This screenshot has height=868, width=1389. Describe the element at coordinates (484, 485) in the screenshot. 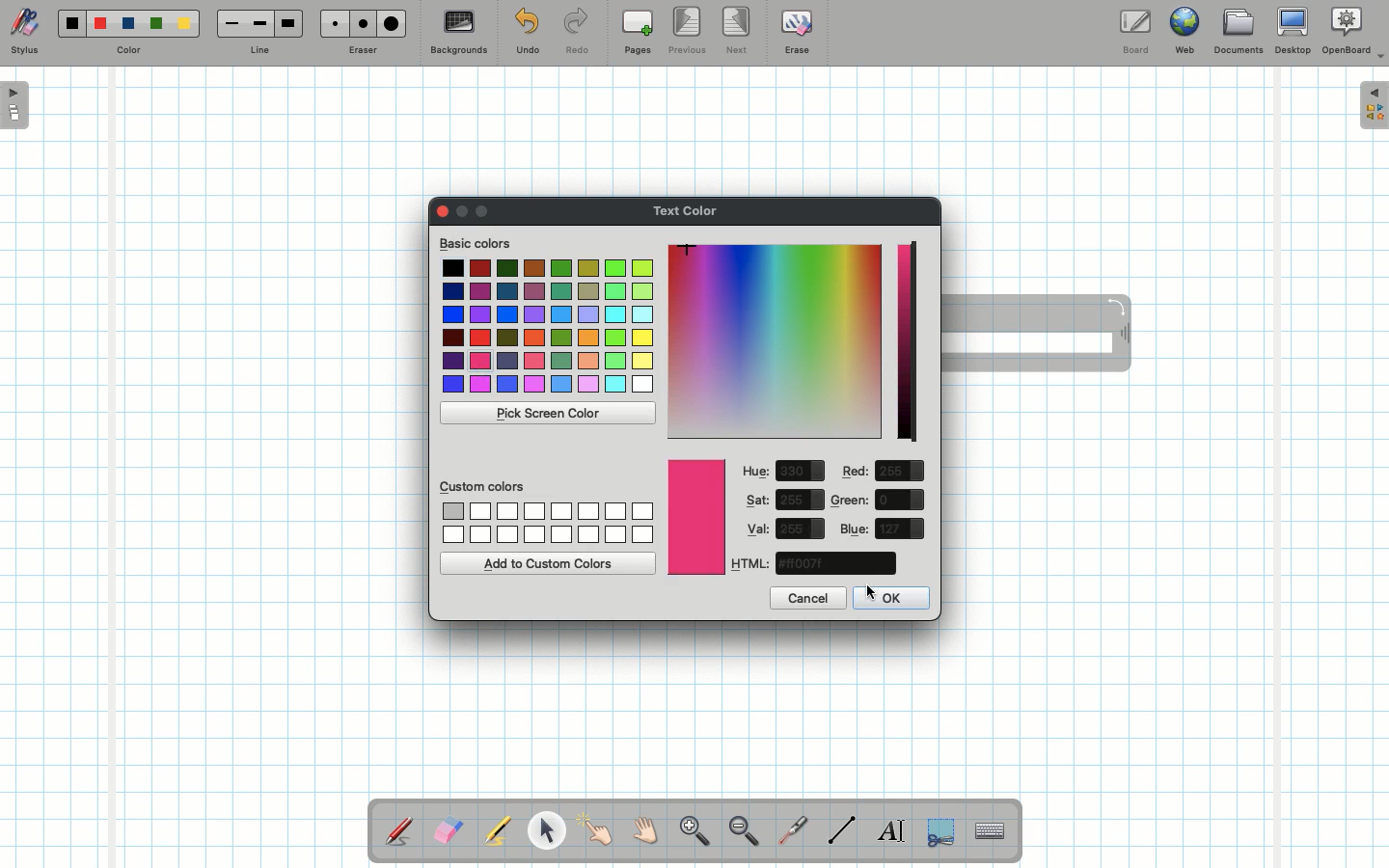

I see `Custom colors` at that location.